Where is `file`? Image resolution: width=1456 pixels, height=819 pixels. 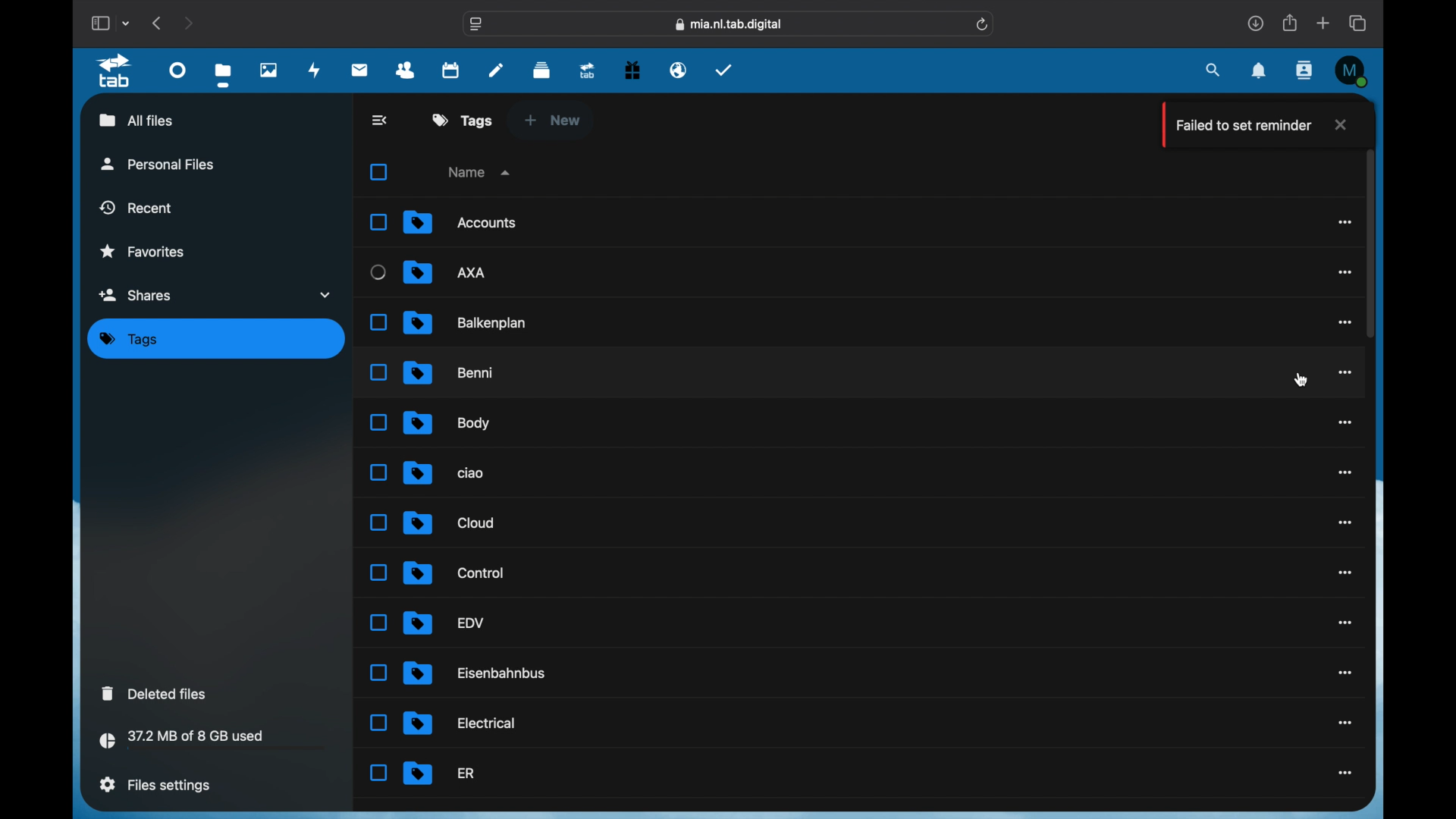 file is located at coordinates (444, 622).